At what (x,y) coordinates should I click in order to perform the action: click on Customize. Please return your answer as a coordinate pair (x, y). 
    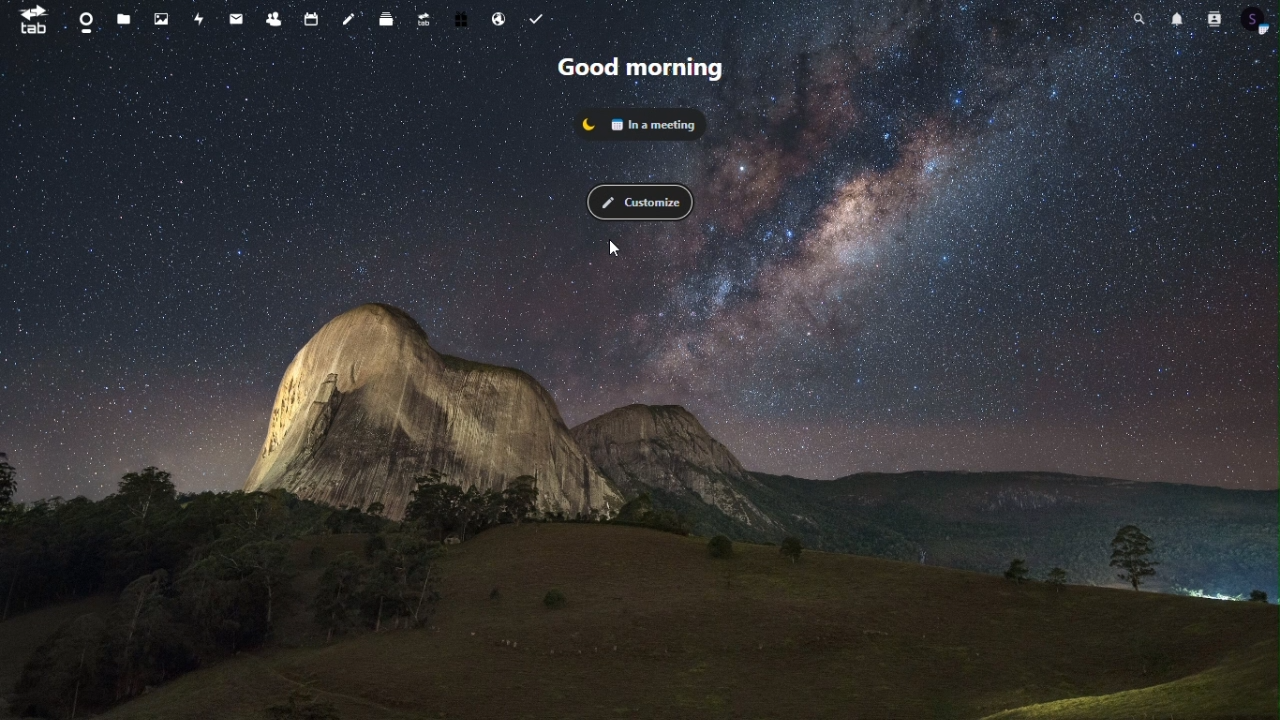
    Looking at the image, I should click on (639, 201).